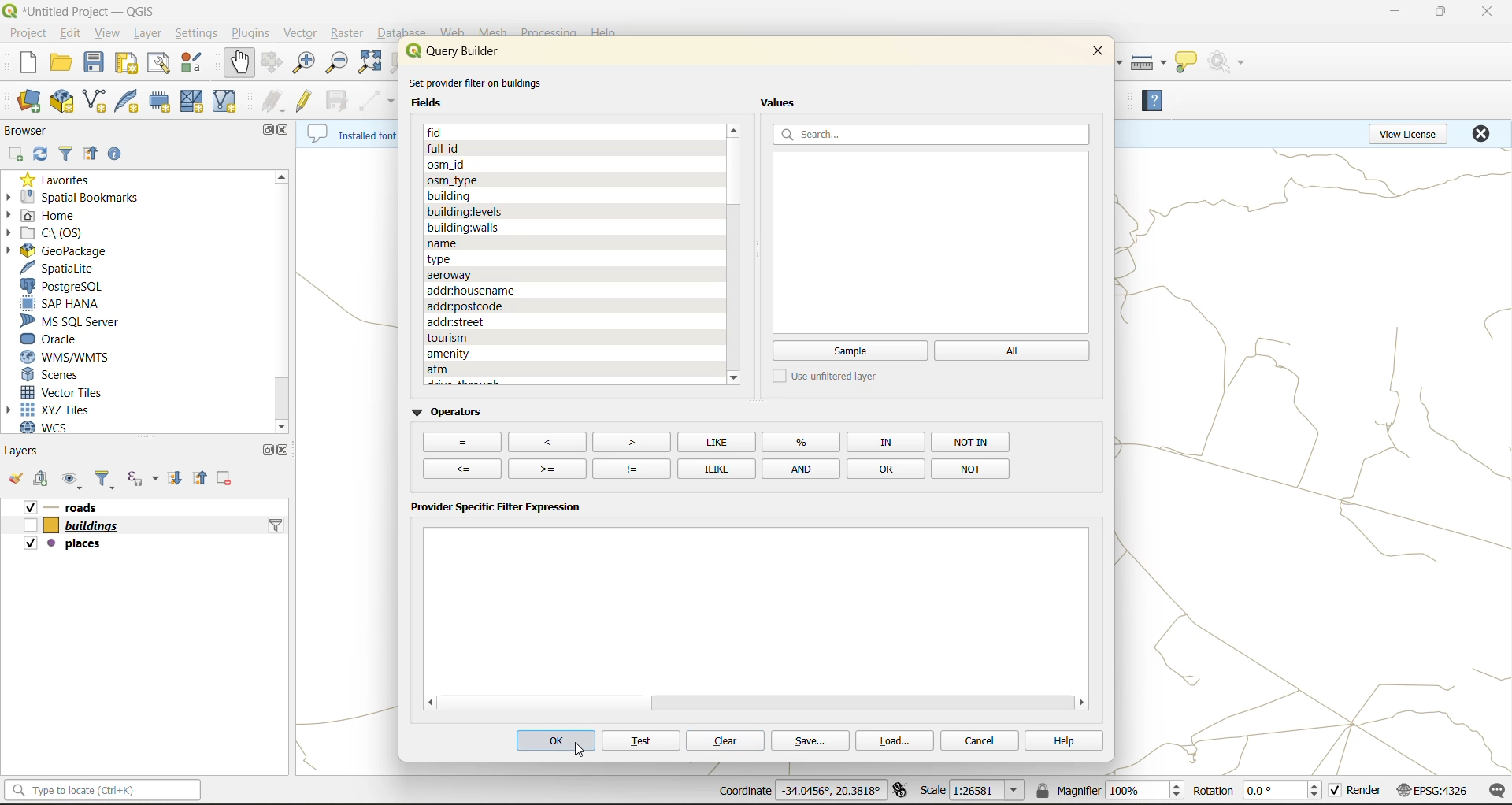 The height and width of the screenshot is (805, 1512). What do you see at coordinates (1160, 104) in the screenshot?
I see `help` at bounding box center [1160, 104].